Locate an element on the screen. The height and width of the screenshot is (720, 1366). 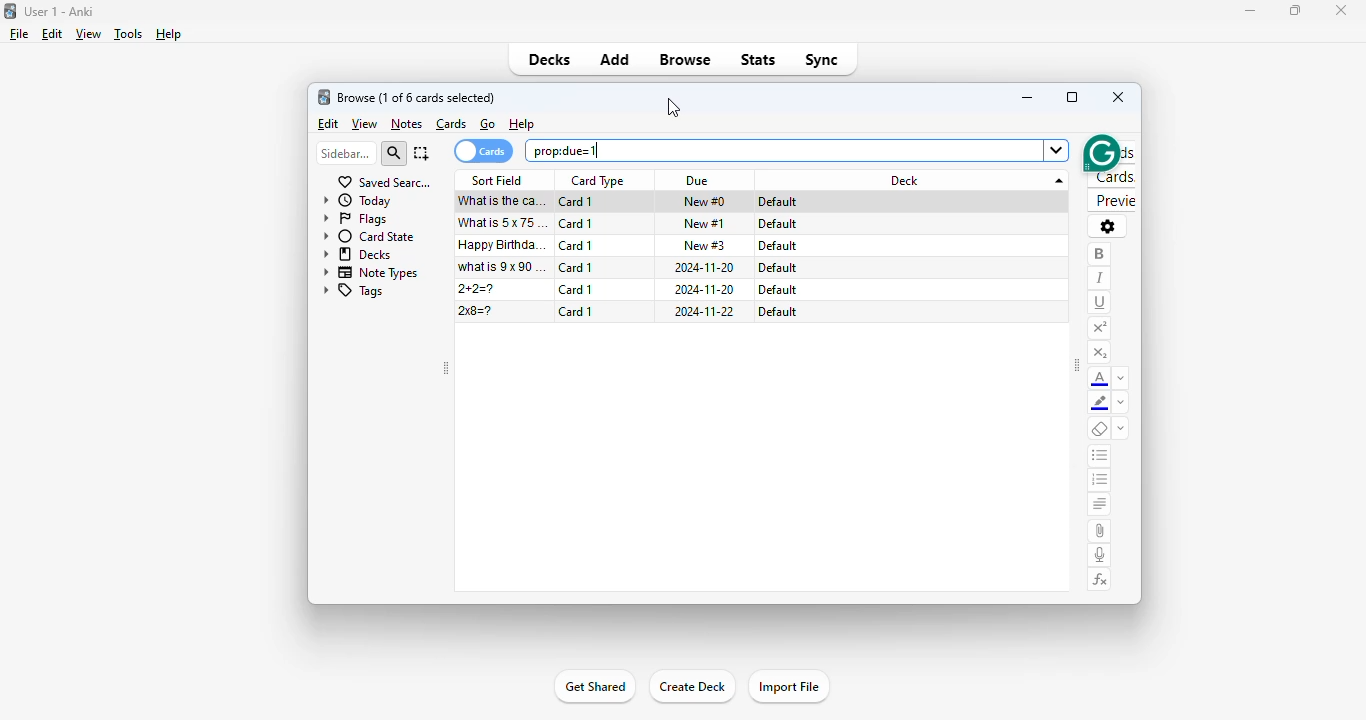
due is located at coordinates (698, 179).